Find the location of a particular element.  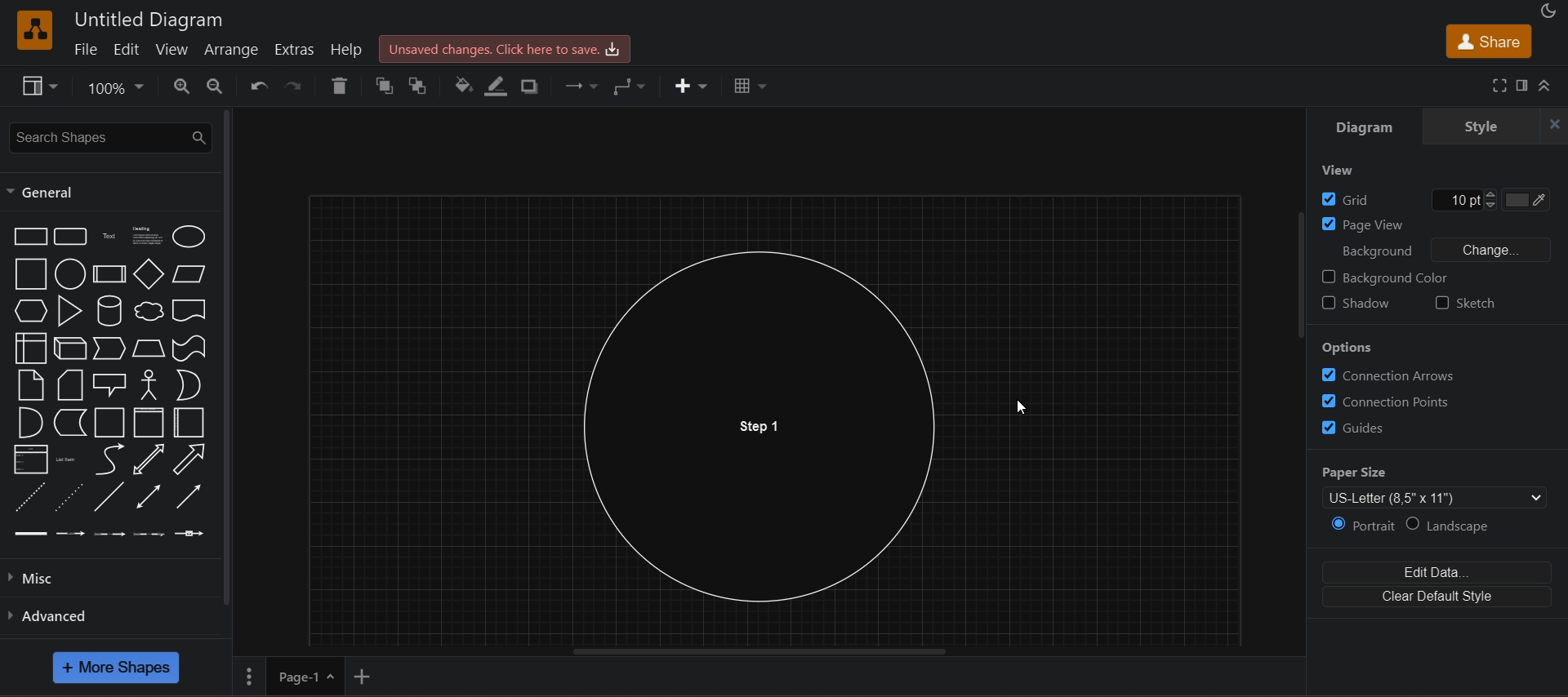

trapezoid is located at coordinates (150, 352).